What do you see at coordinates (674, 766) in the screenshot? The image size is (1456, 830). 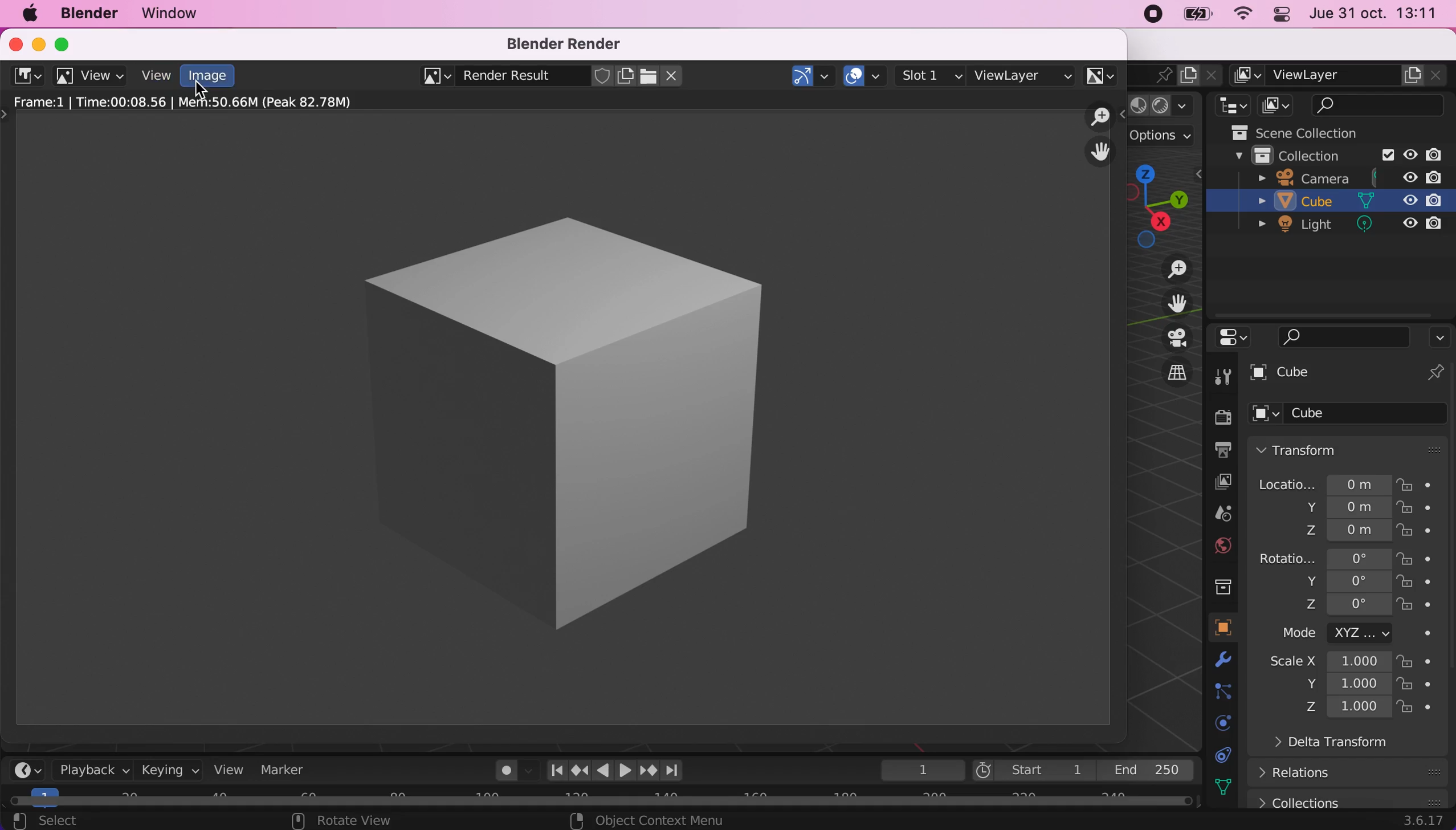 I see `Jump to last` at bounding box center [674, 766].